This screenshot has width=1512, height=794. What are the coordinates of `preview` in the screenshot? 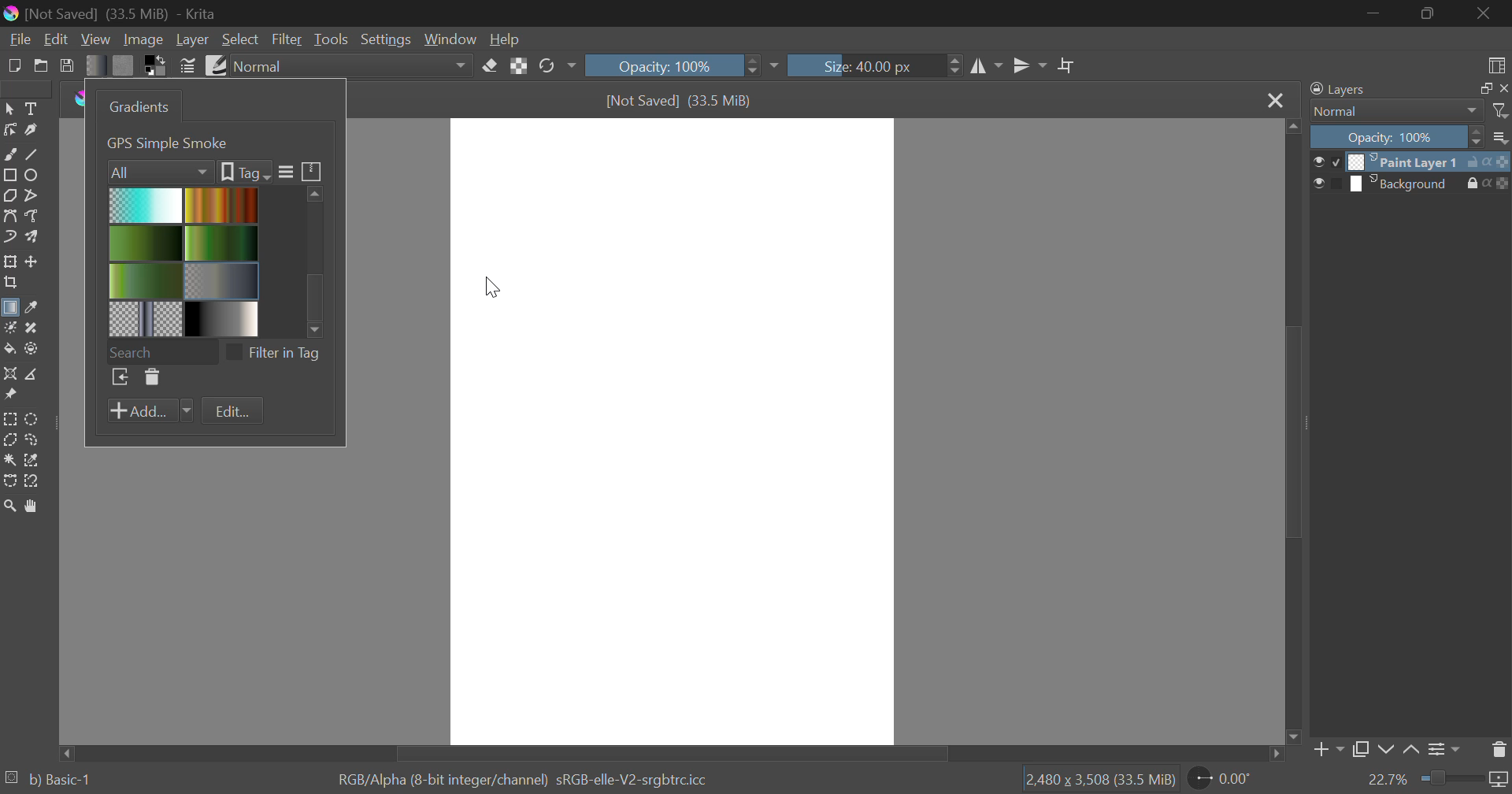 It's located at (1326, 161).